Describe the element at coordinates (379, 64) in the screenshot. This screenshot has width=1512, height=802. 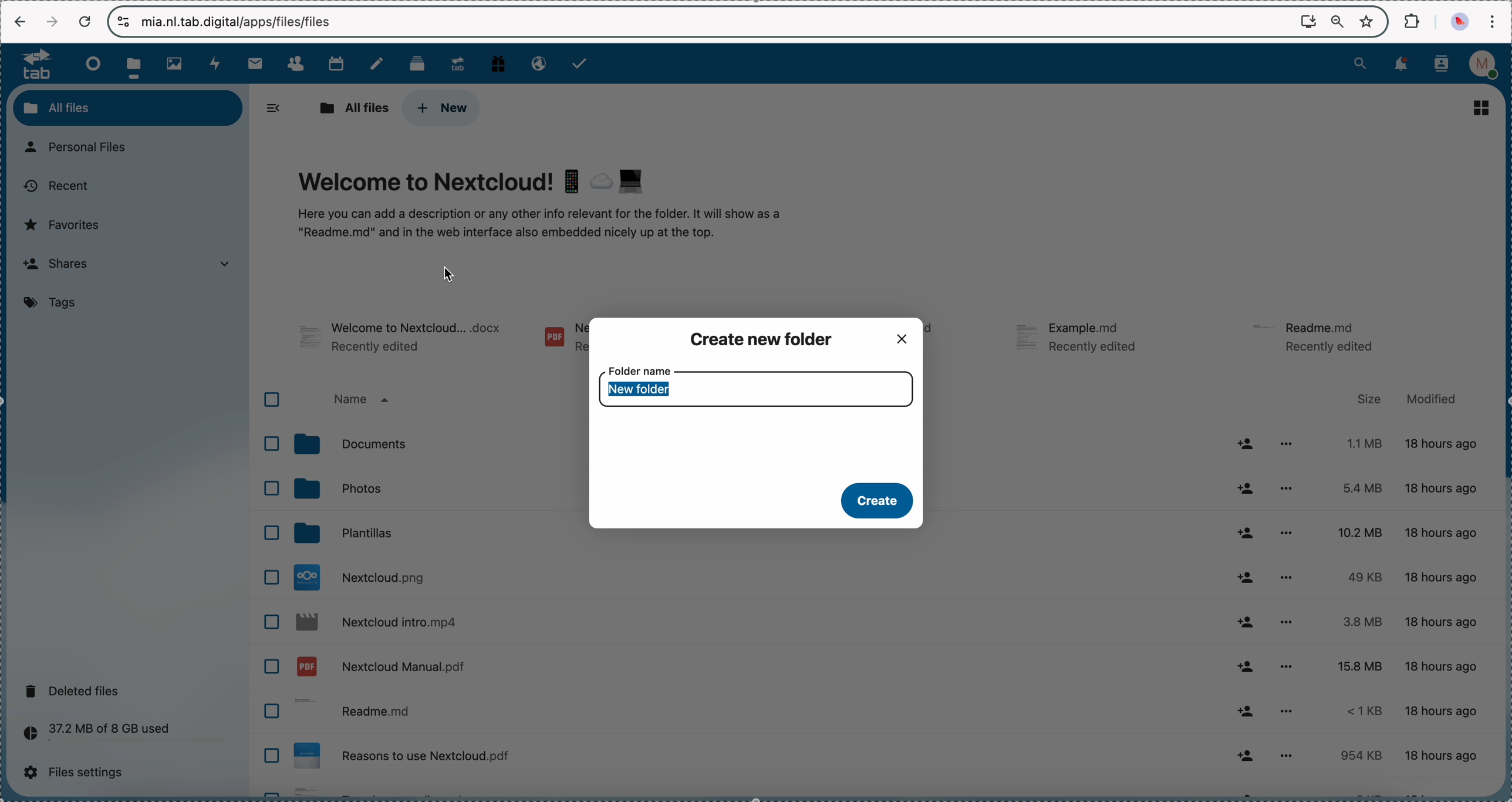
I see `notes` at that location.